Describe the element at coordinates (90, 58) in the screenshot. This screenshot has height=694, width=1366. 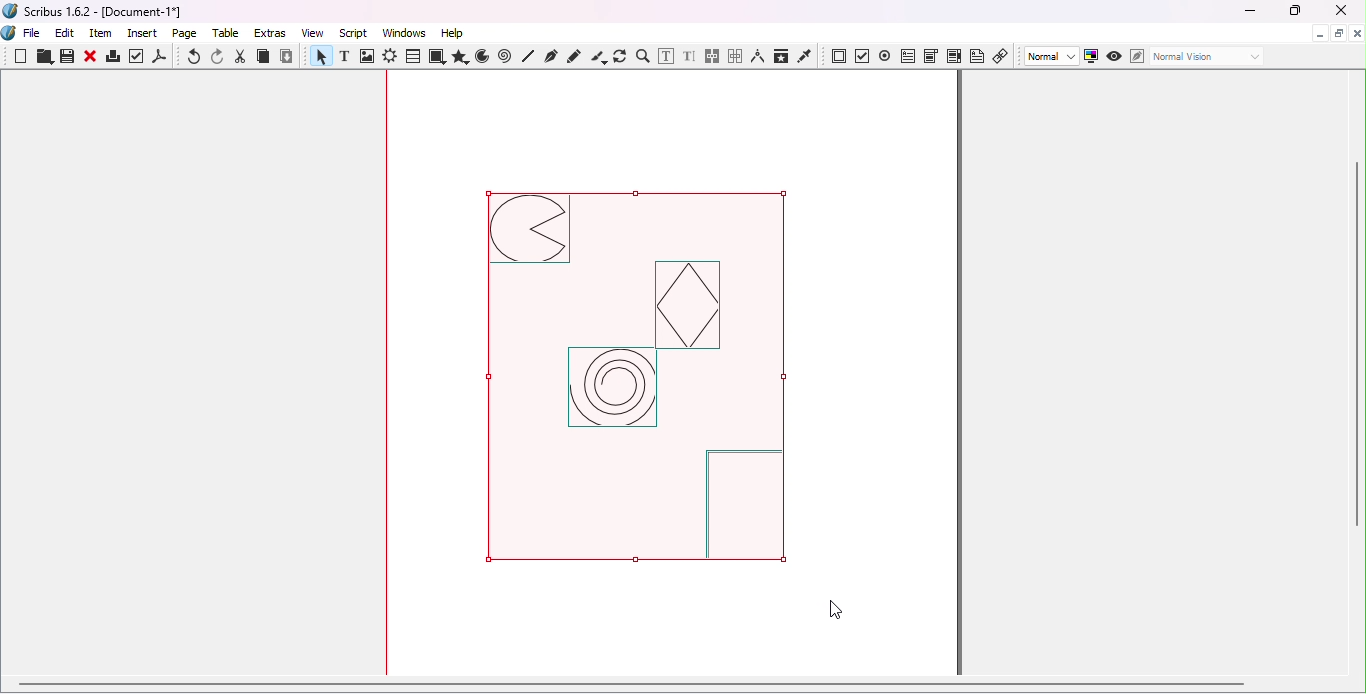
I see `Close` at that location.